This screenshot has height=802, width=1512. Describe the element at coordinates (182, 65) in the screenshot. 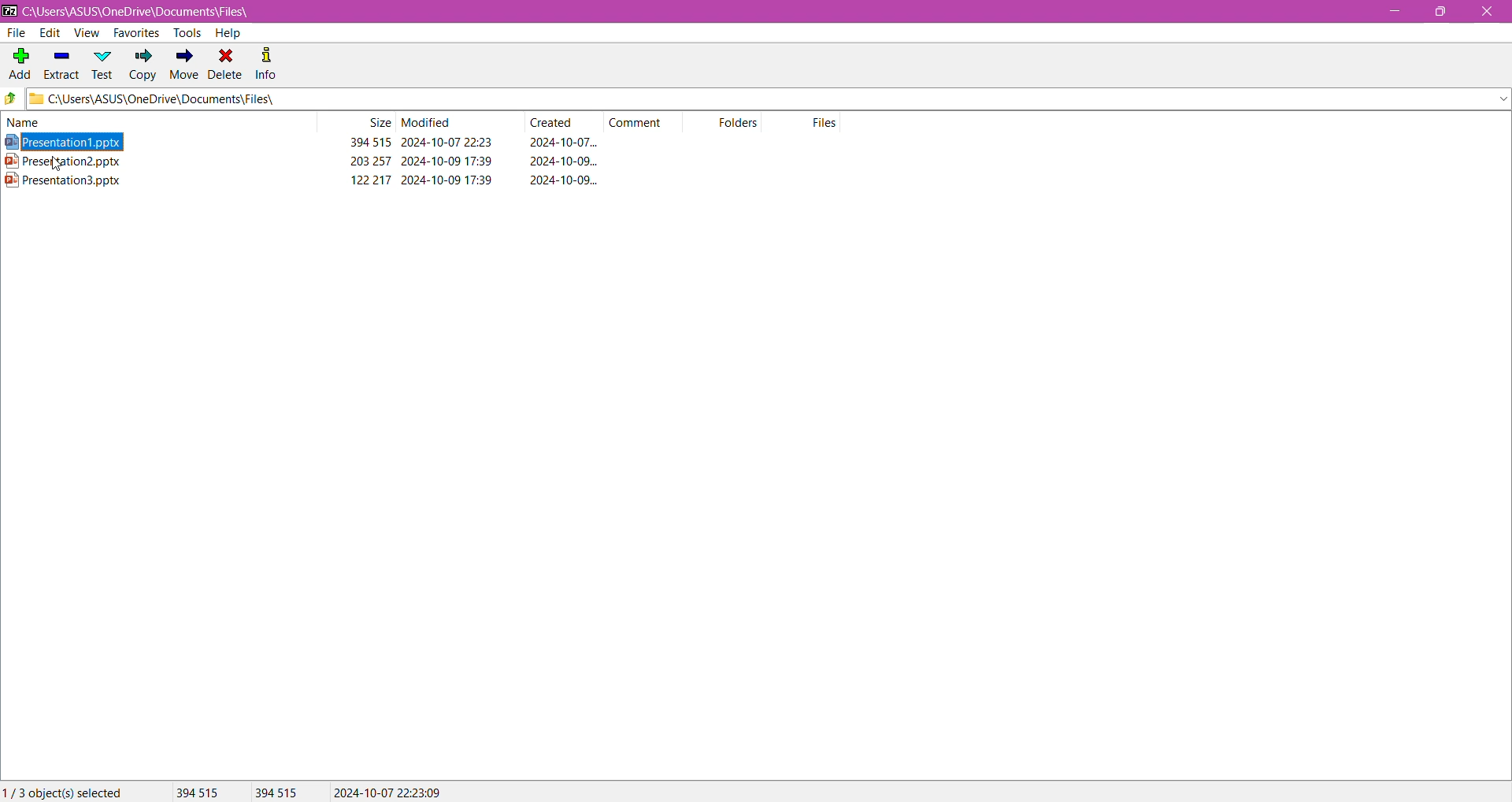

I see `Move` at that location.